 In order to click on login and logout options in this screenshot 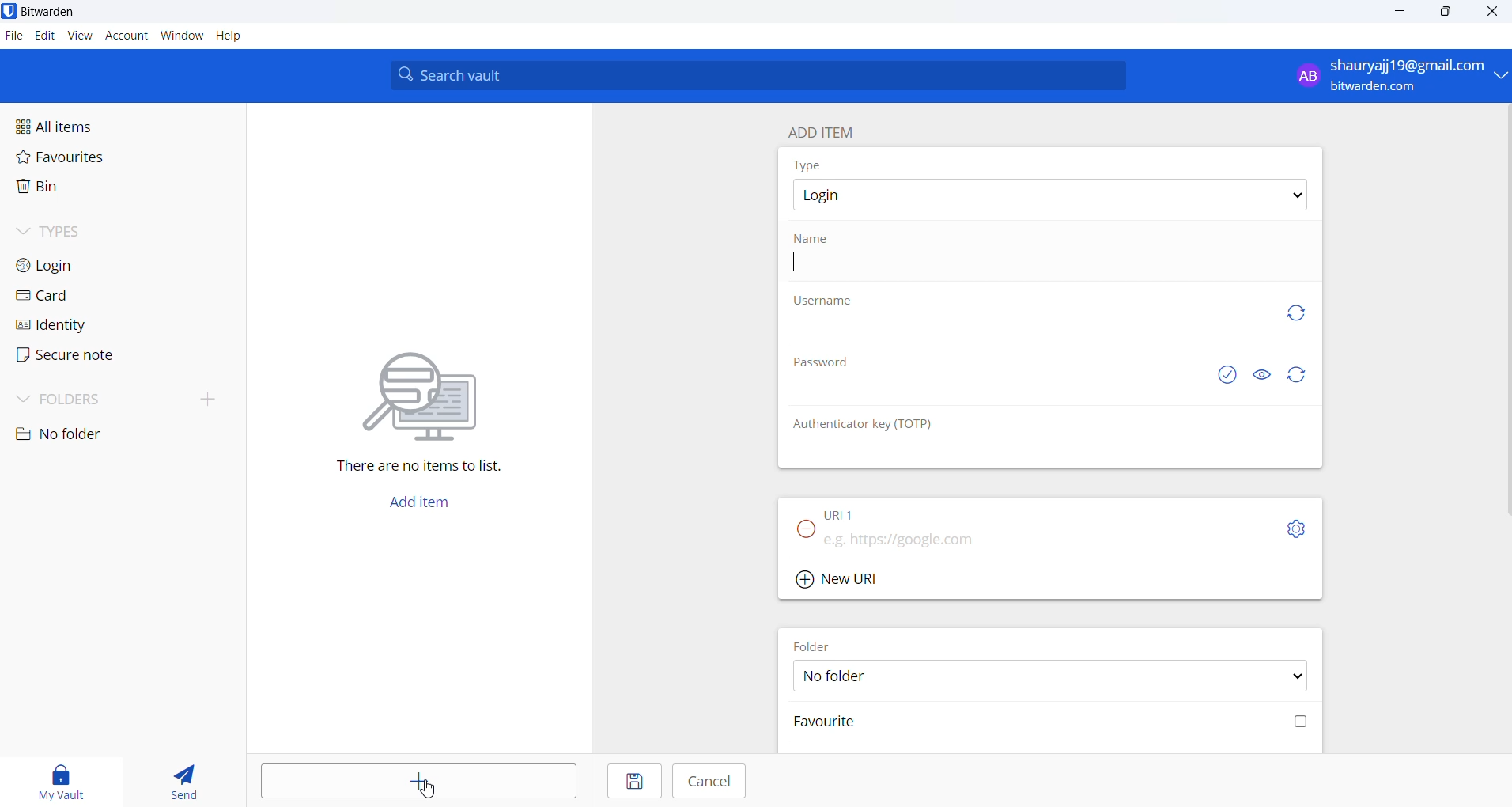, I will do `click(1400, 77)`.